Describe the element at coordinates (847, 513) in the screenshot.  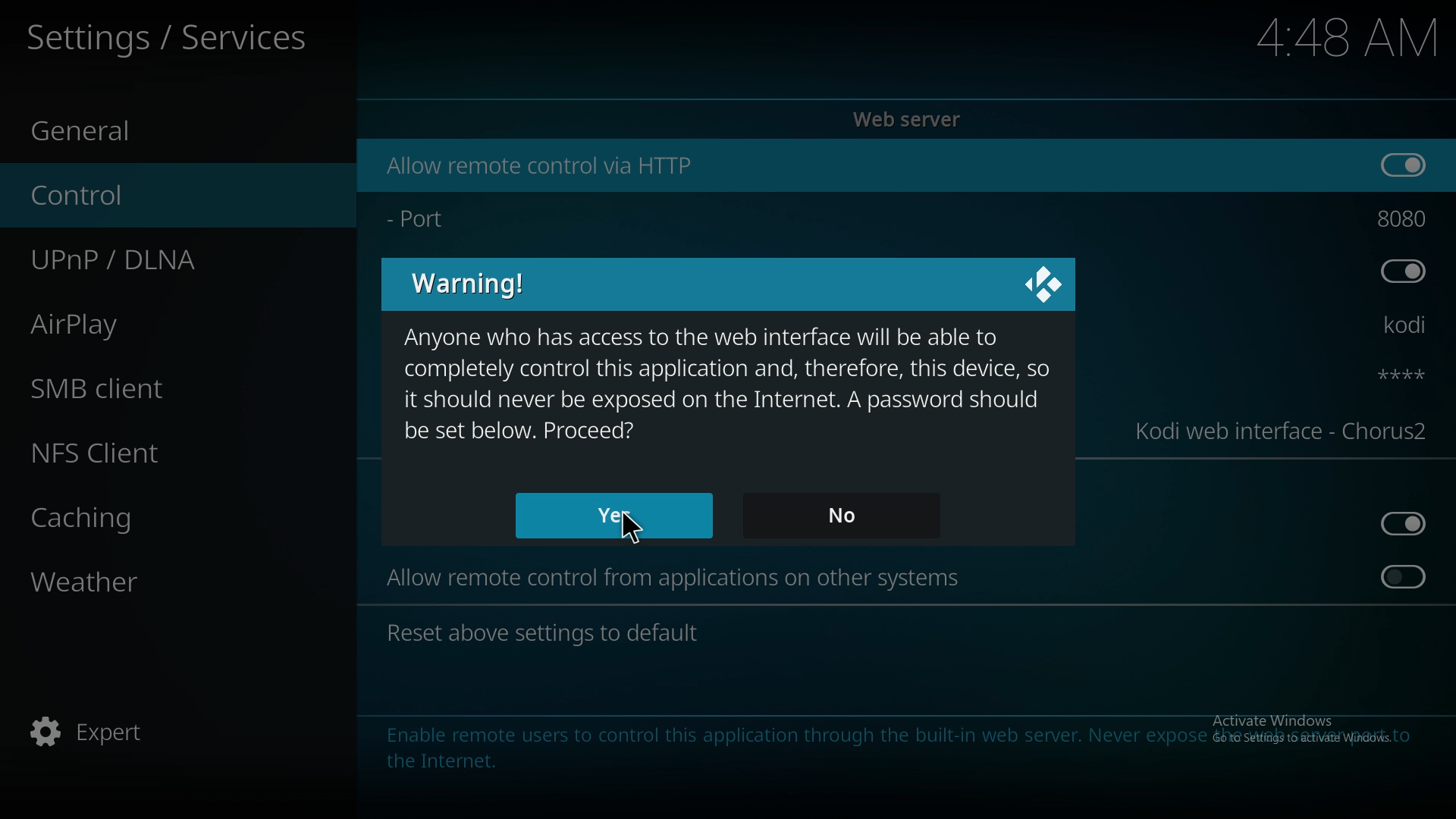
I see `no` at that location.